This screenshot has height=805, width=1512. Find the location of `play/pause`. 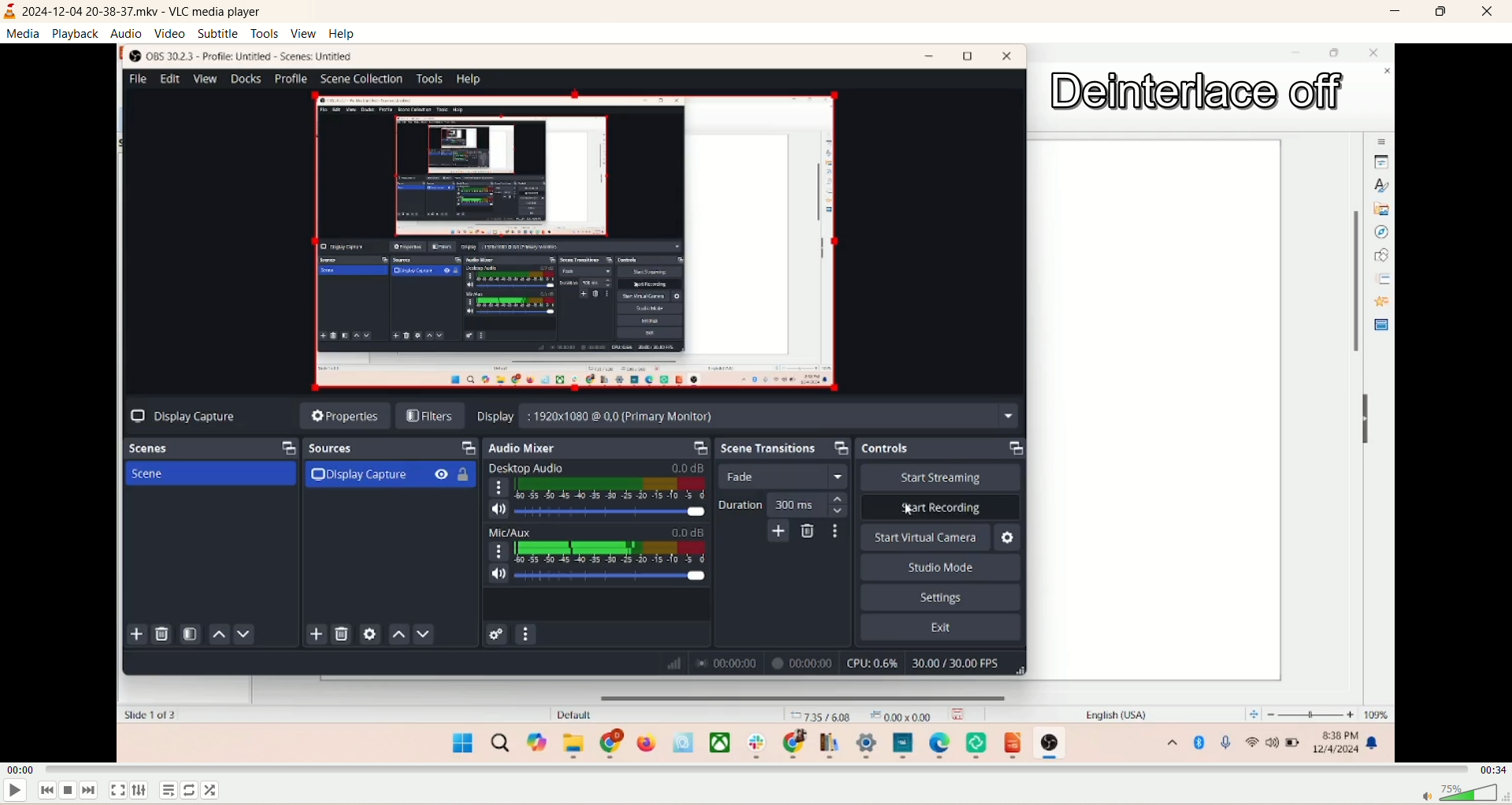

play/pause is located at coordinates (13, 794).